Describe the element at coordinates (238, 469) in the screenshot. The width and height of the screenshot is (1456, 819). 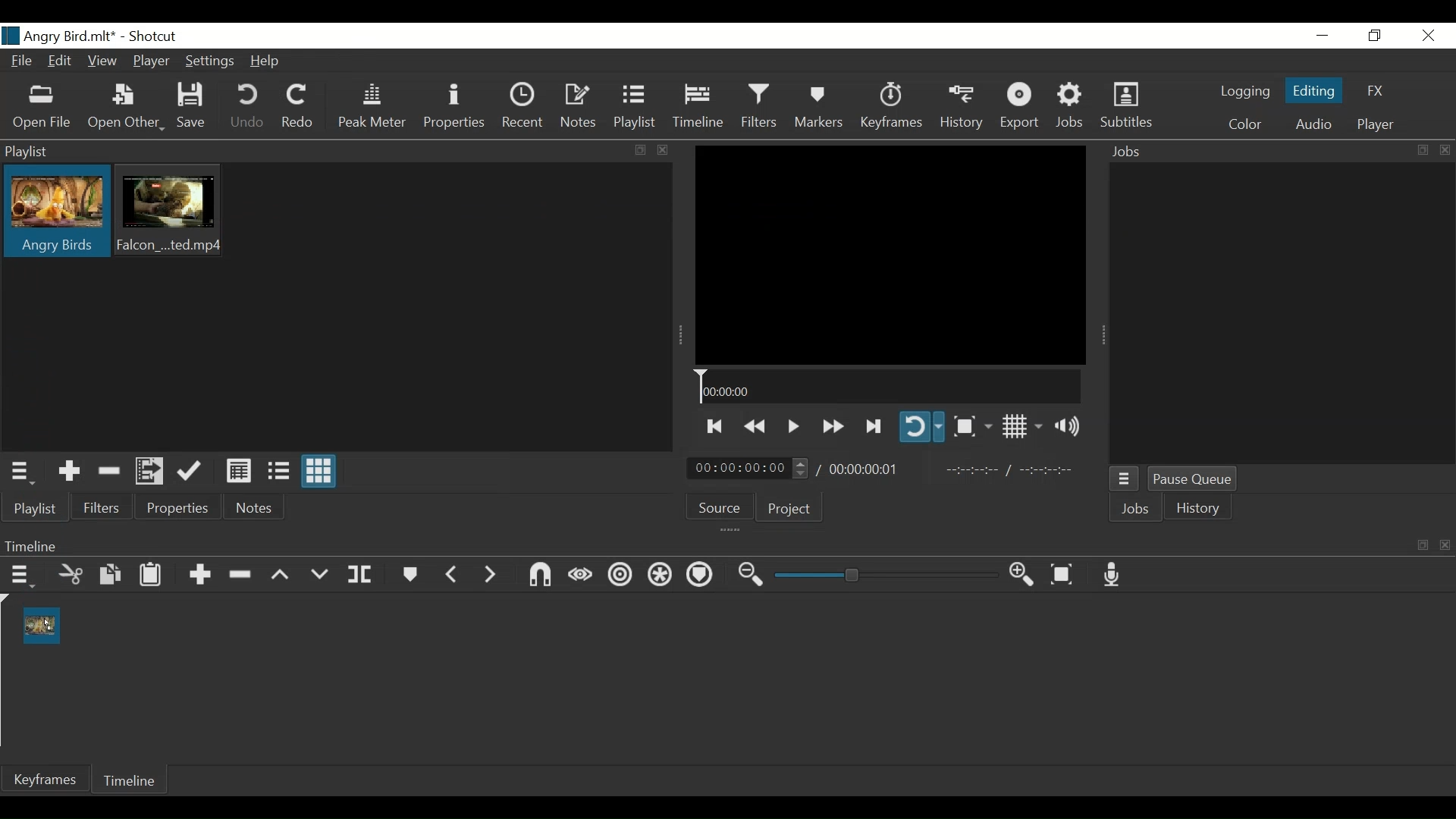
I see `View as Detail` at that location.